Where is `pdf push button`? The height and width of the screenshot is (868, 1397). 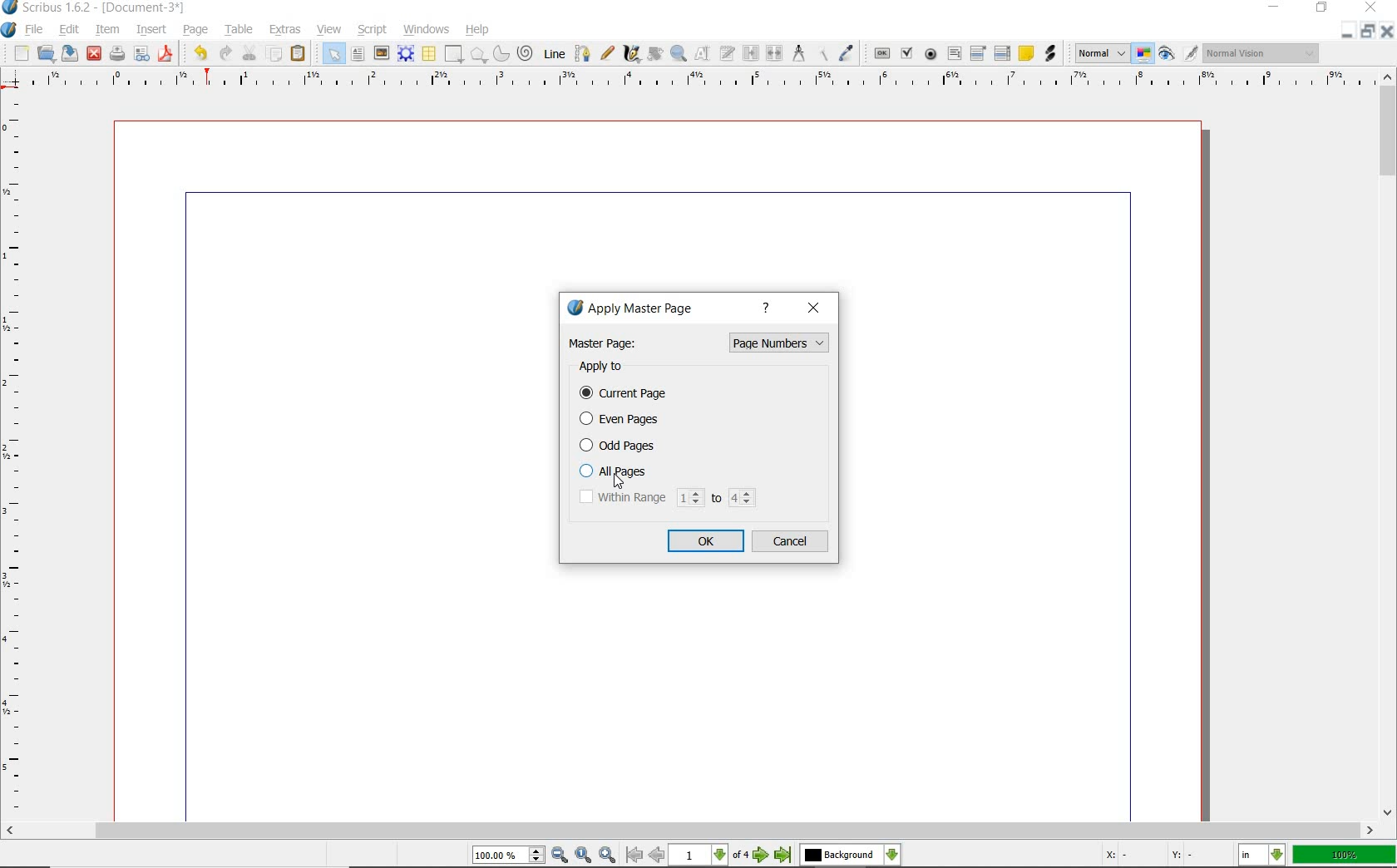
pdf push button is located at coordinates (881, 53).